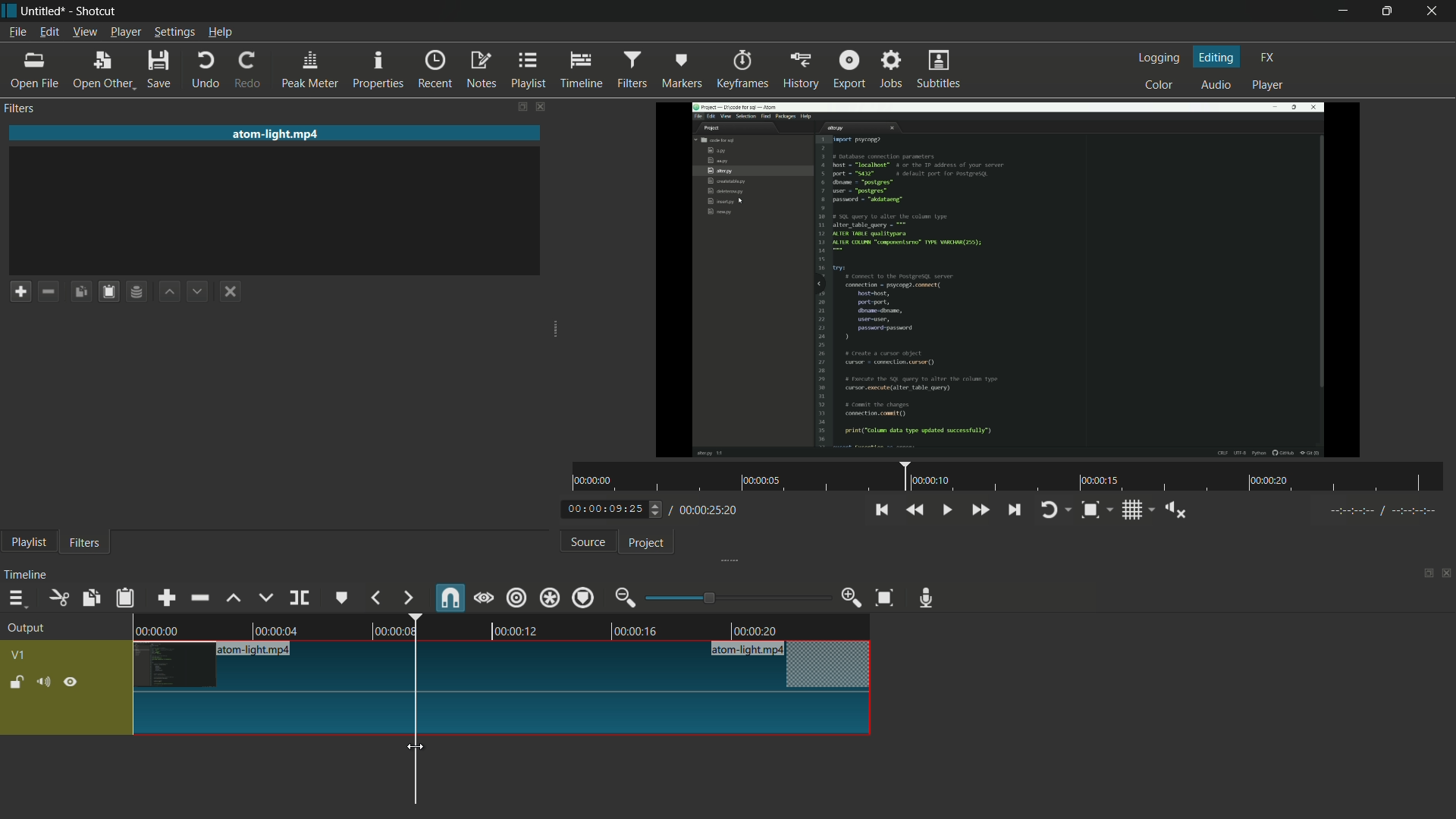  I want to click on create or edit marker, so click(342, 599).